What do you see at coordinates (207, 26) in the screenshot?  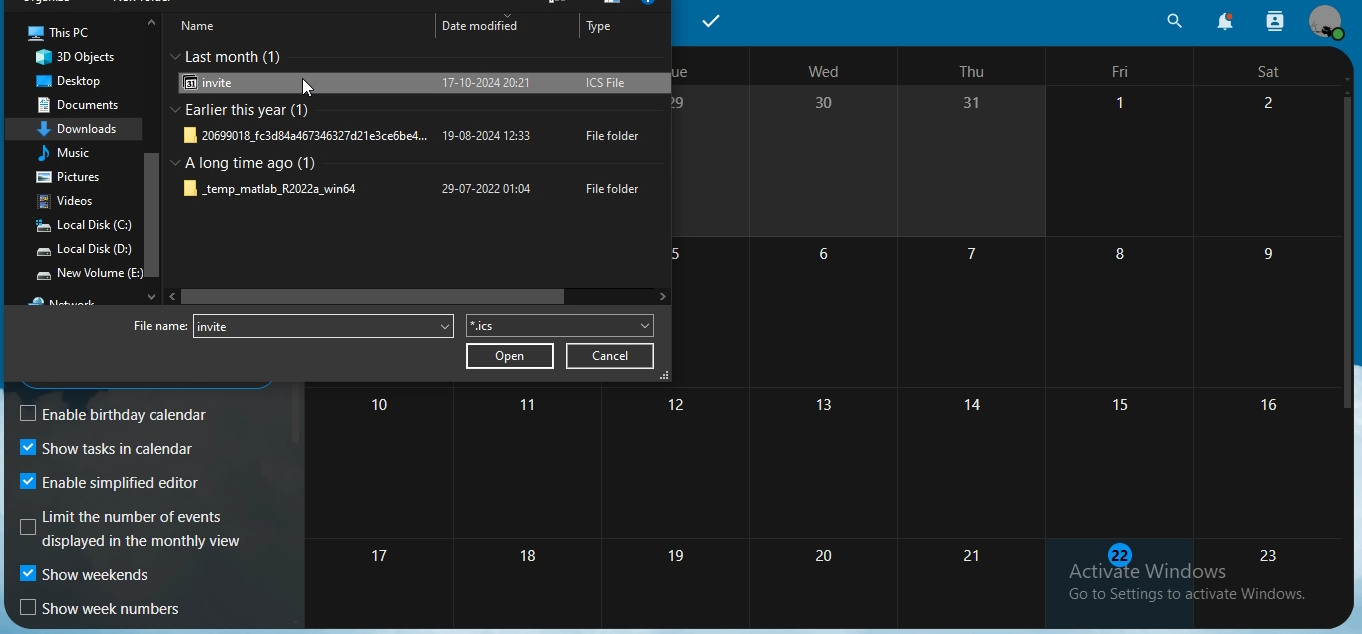 I see `name` at bounding box center [207, 26].